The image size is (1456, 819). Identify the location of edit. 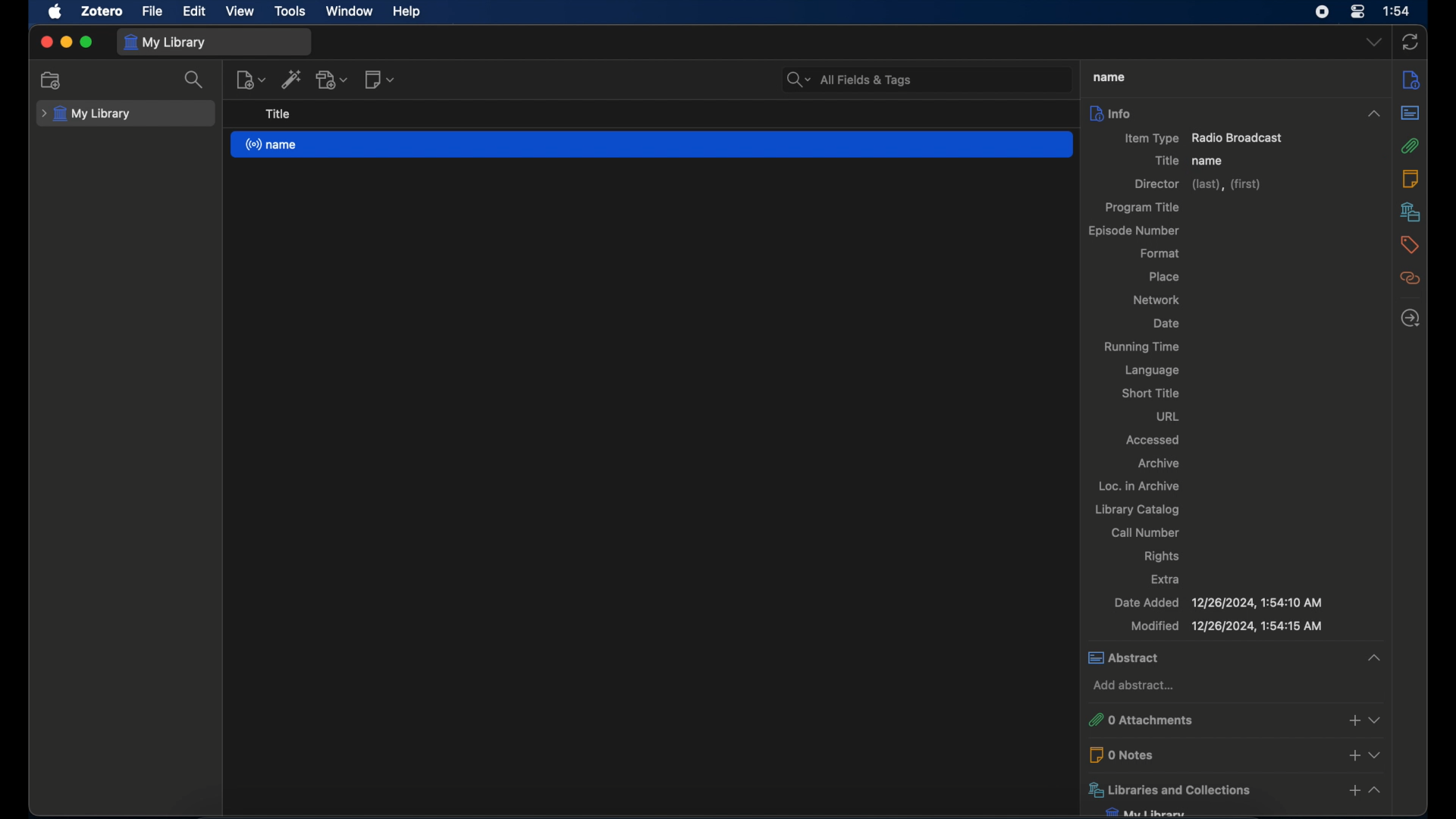
(195, 11).